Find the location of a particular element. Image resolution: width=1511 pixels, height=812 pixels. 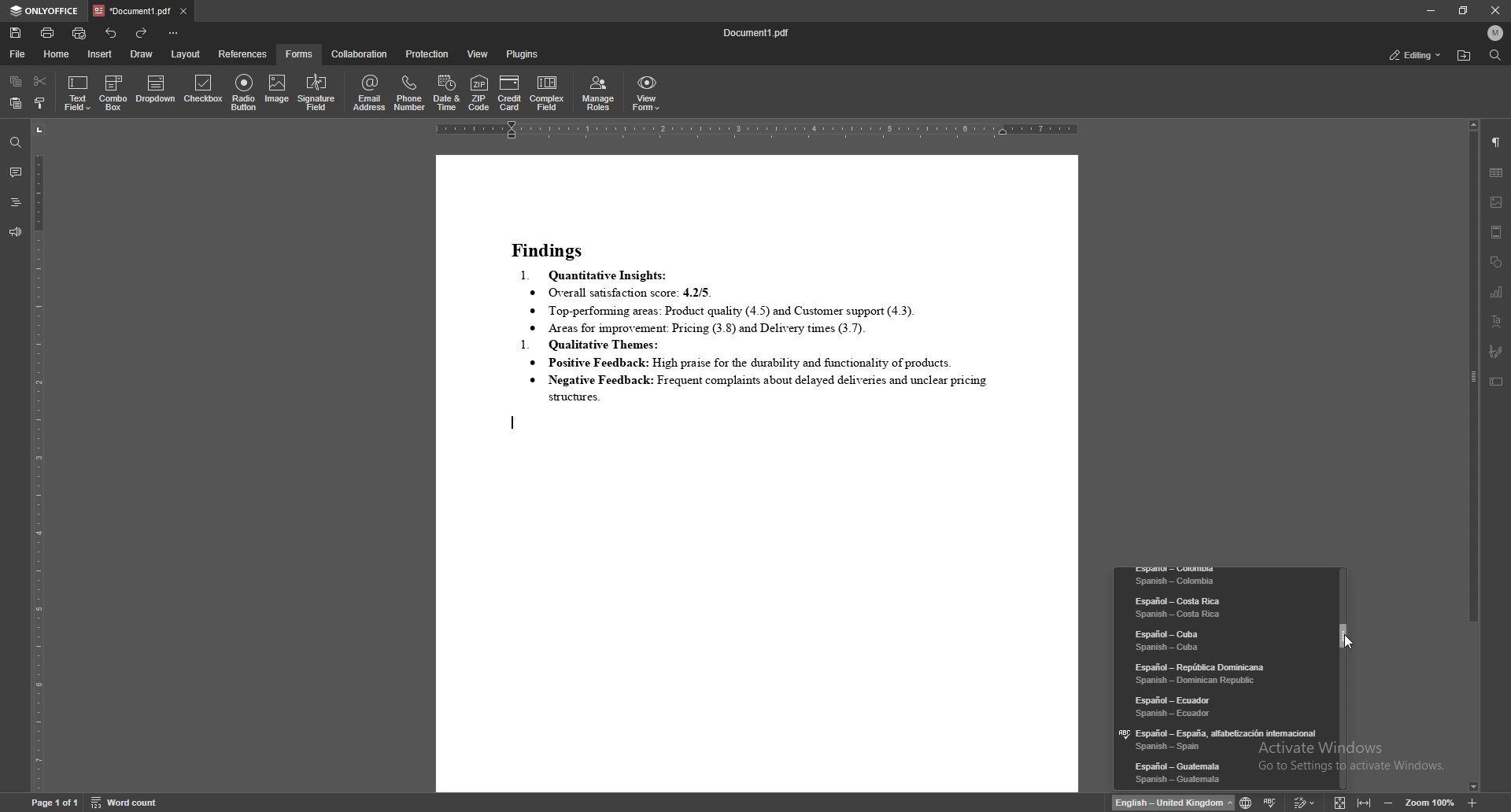

file name is located at coordinates (758, 35).